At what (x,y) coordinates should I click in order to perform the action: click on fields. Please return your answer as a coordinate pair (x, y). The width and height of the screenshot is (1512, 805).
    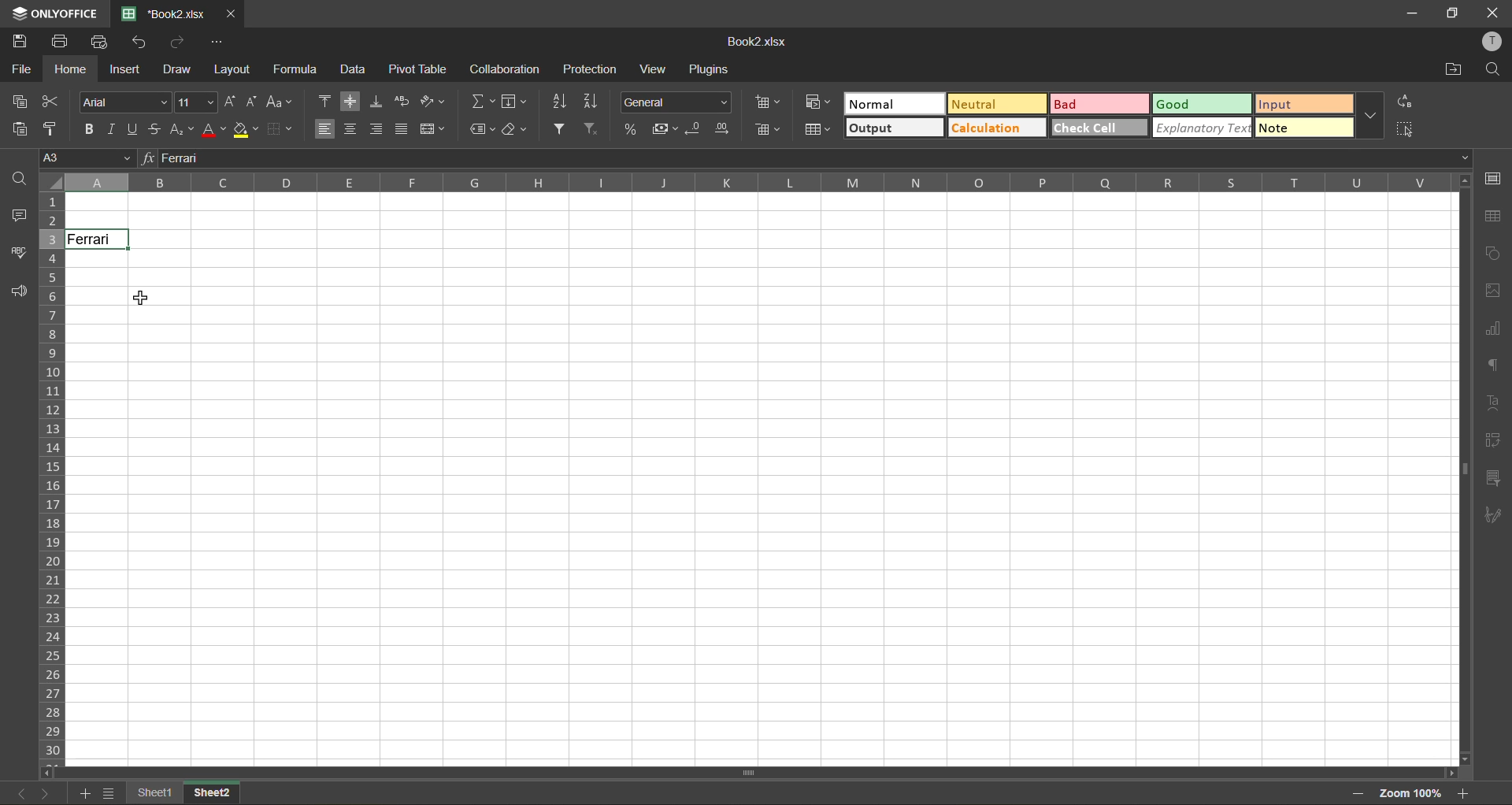
    Looking at the image, I should click on (515, 102).